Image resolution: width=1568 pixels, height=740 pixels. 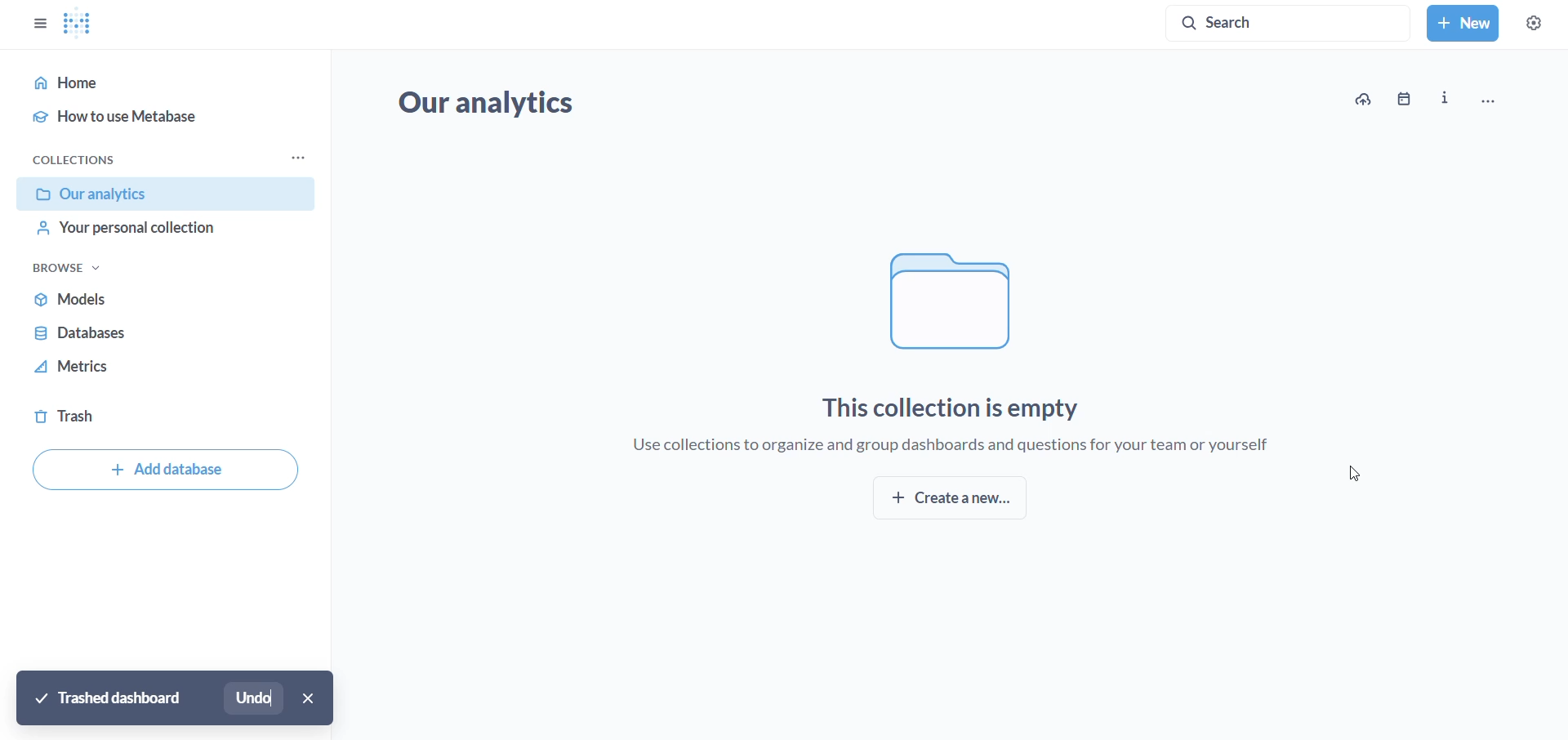 I want to click on This collection is empty
Use collections to organize and group dashboards and questions for your team or yourself, so click(x=929, y=434).